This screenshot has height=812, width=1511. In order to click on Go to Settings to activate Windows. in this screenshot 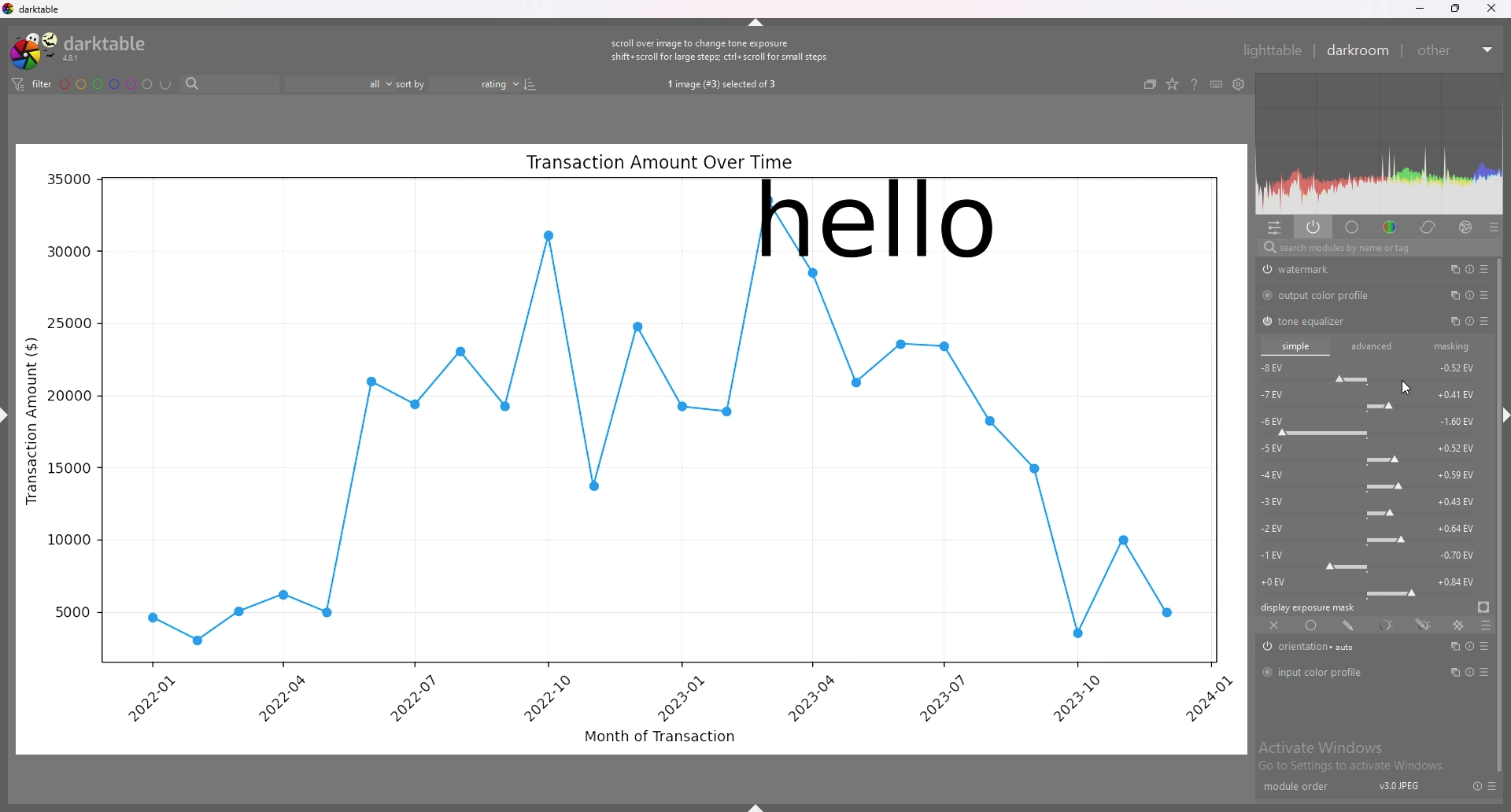, I will do `click(1353, 767)`.